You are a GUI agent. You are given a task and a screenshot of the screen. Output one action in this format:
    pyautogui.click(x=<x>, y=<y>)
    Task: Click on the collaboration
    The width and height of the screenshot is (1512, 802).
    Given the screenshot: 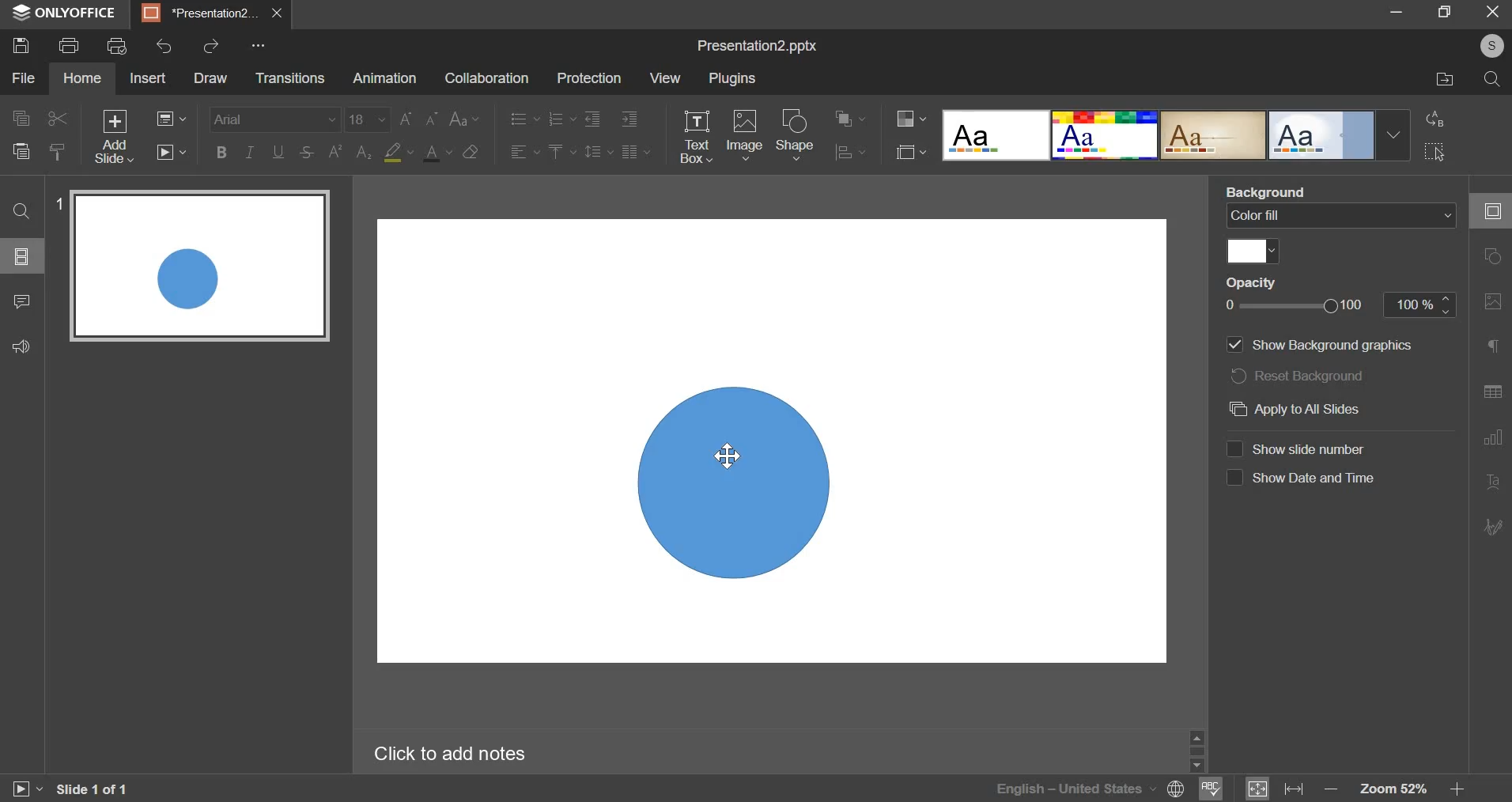 What is the action you would take?
    pyautogui.click(x=486, y=78)
    